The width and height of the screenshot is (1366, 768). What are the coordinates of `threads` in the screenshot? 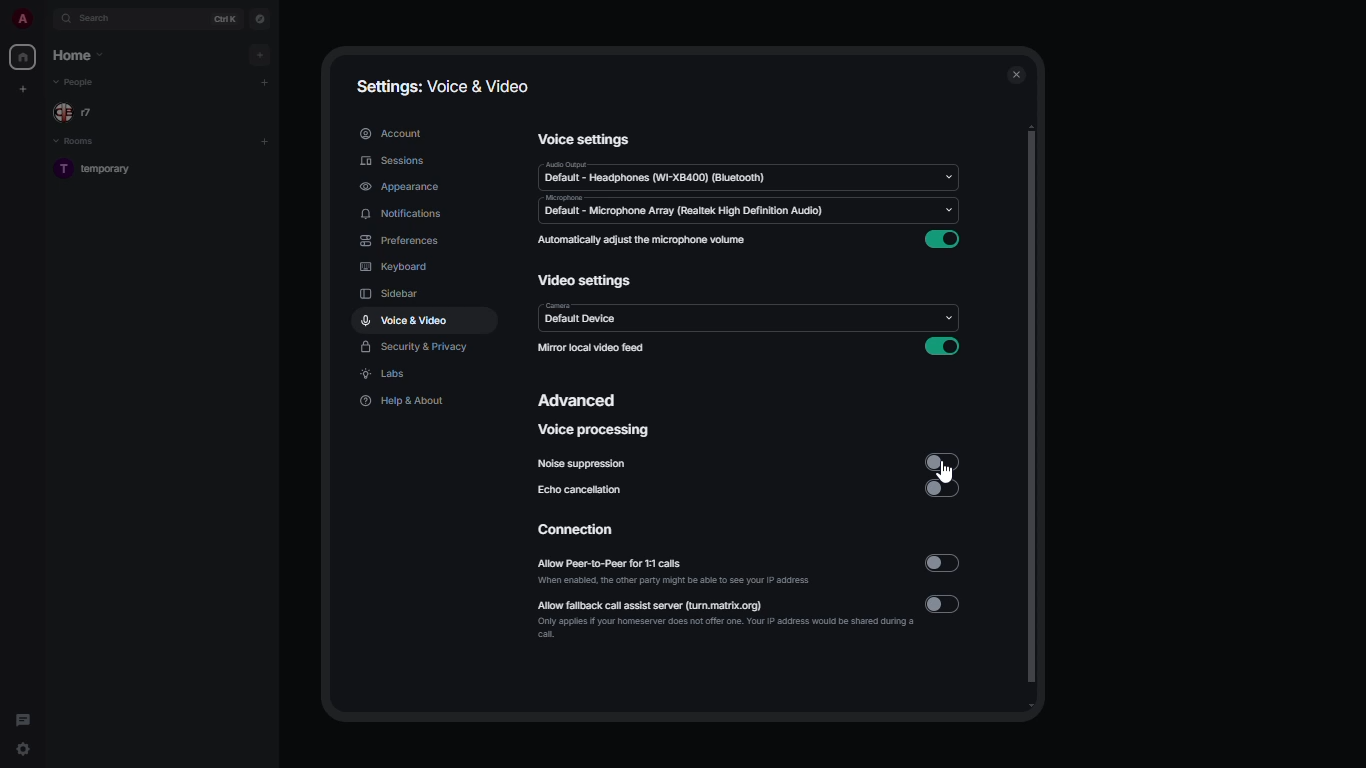 It's located at (23, 716).